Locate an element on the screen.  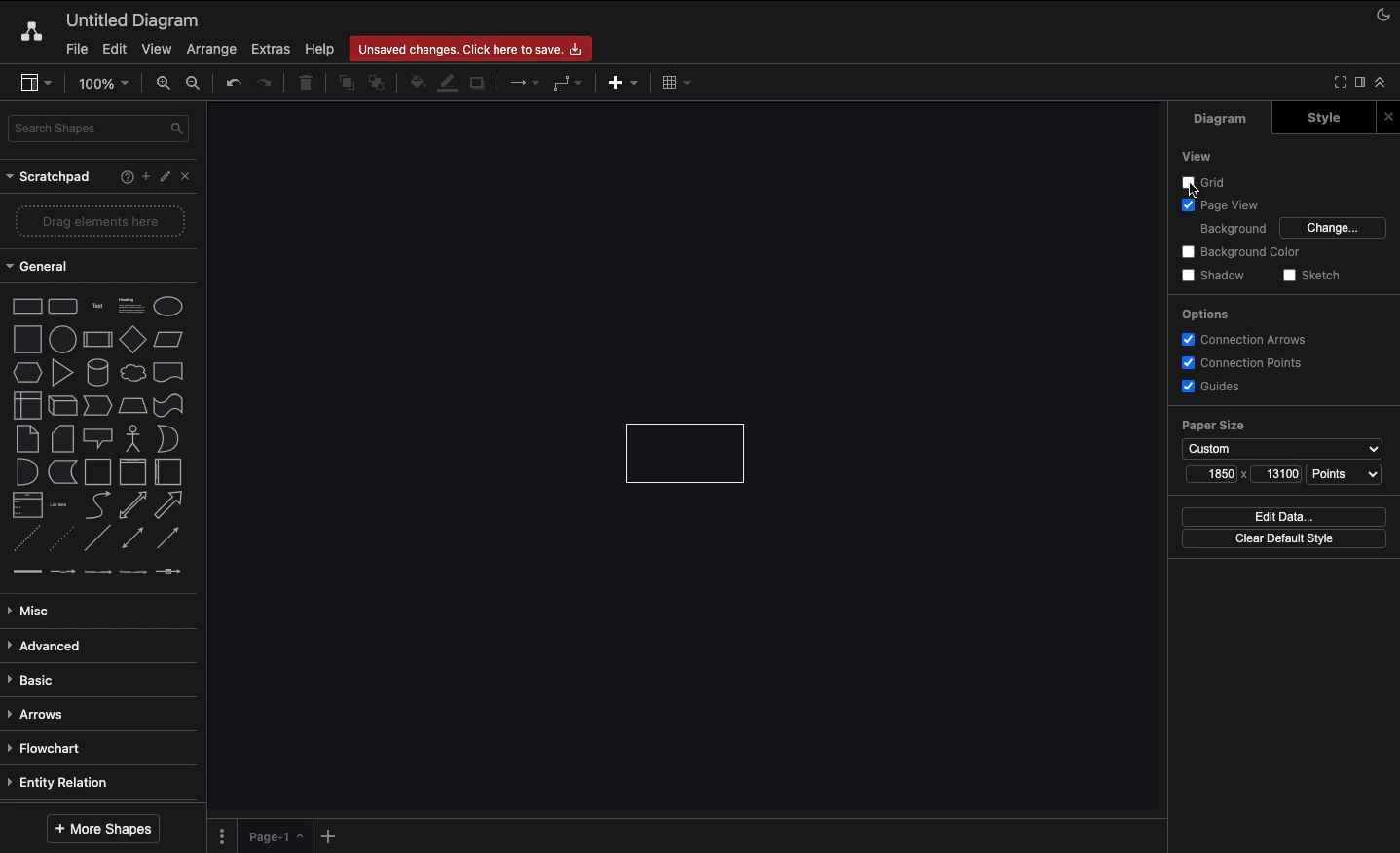
Points is located at coordinates (1345, 475).